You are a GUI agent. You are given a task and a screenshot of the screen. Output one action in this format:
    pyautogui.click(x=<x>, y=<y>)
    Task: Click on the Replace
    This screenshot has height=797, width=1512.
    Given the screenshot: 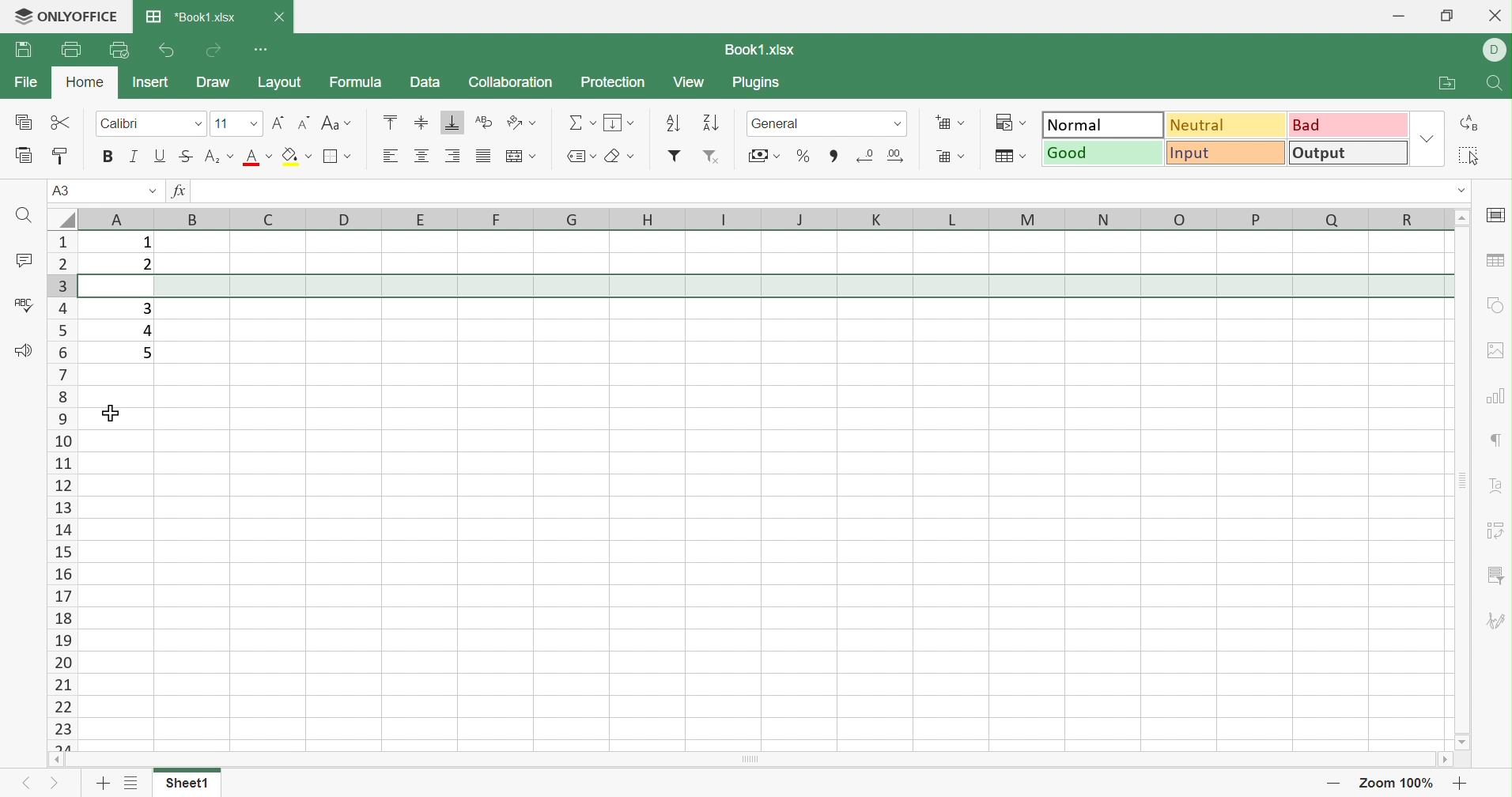 What is the action you would take?
    pyautogui.click(x=1472, y=122)
    